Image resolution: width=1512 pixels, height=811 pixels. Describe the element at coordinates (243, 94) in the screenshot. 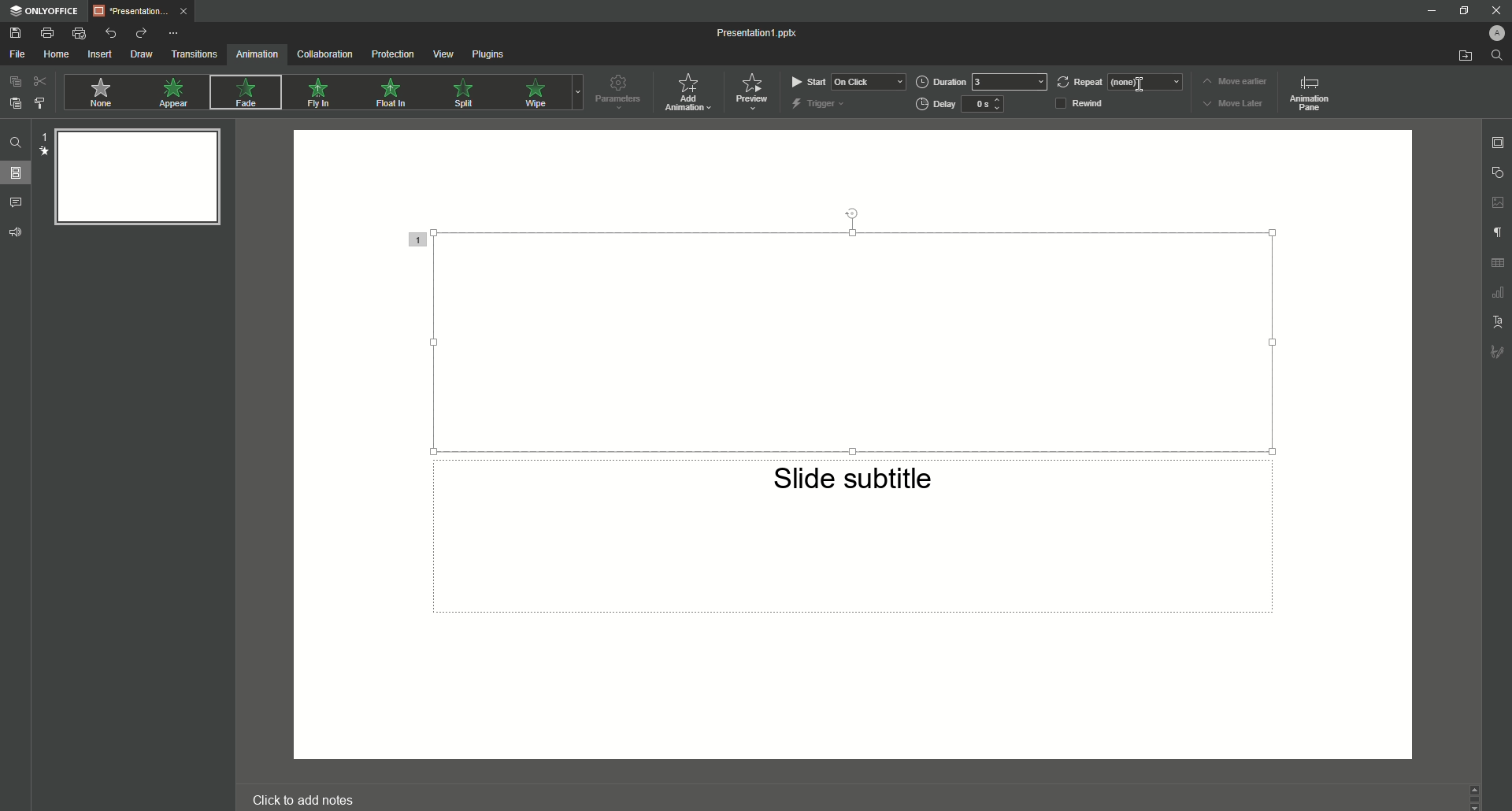

I see `Fade` at that location.